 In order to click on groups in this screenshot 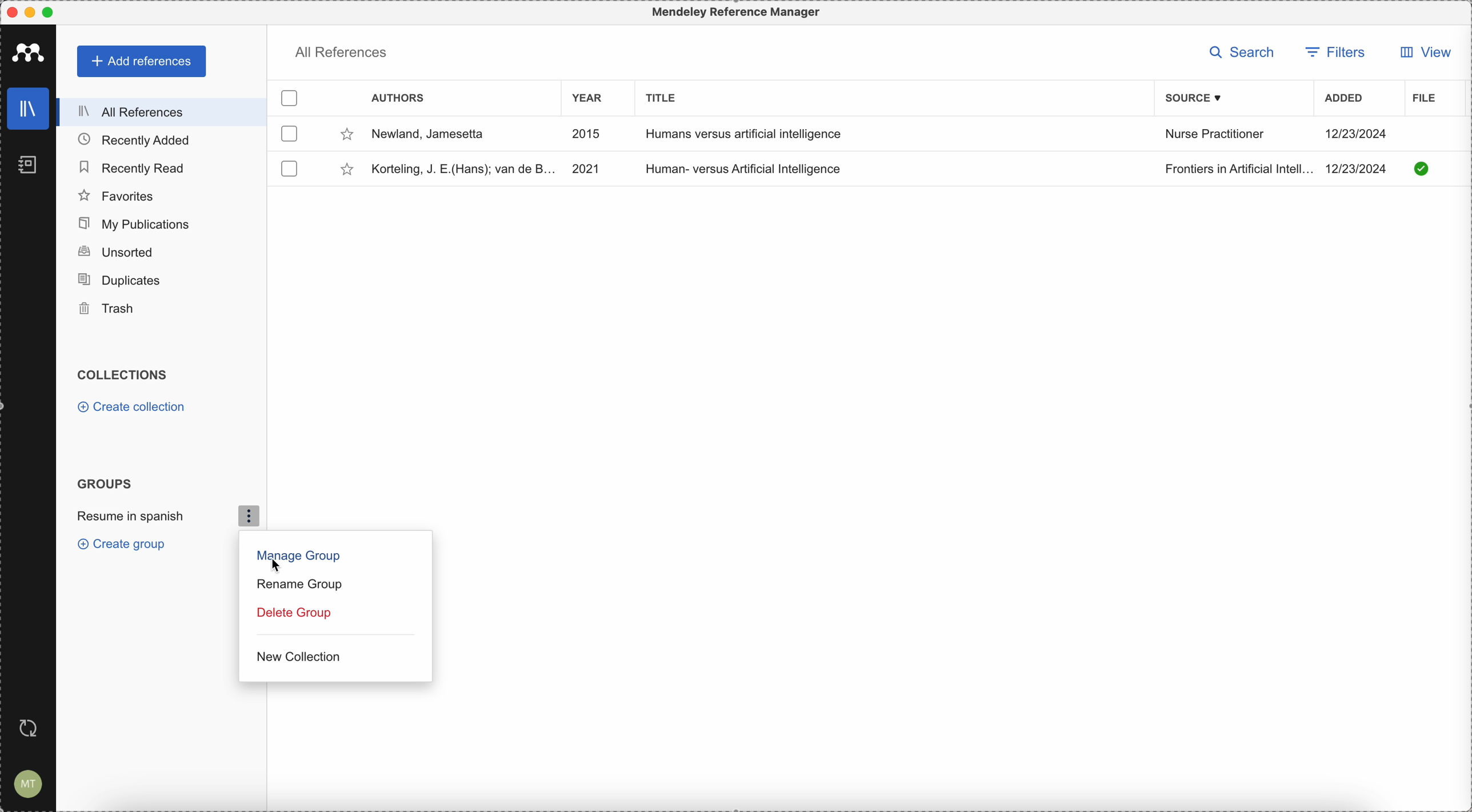, I will do `click(104, 483)`.